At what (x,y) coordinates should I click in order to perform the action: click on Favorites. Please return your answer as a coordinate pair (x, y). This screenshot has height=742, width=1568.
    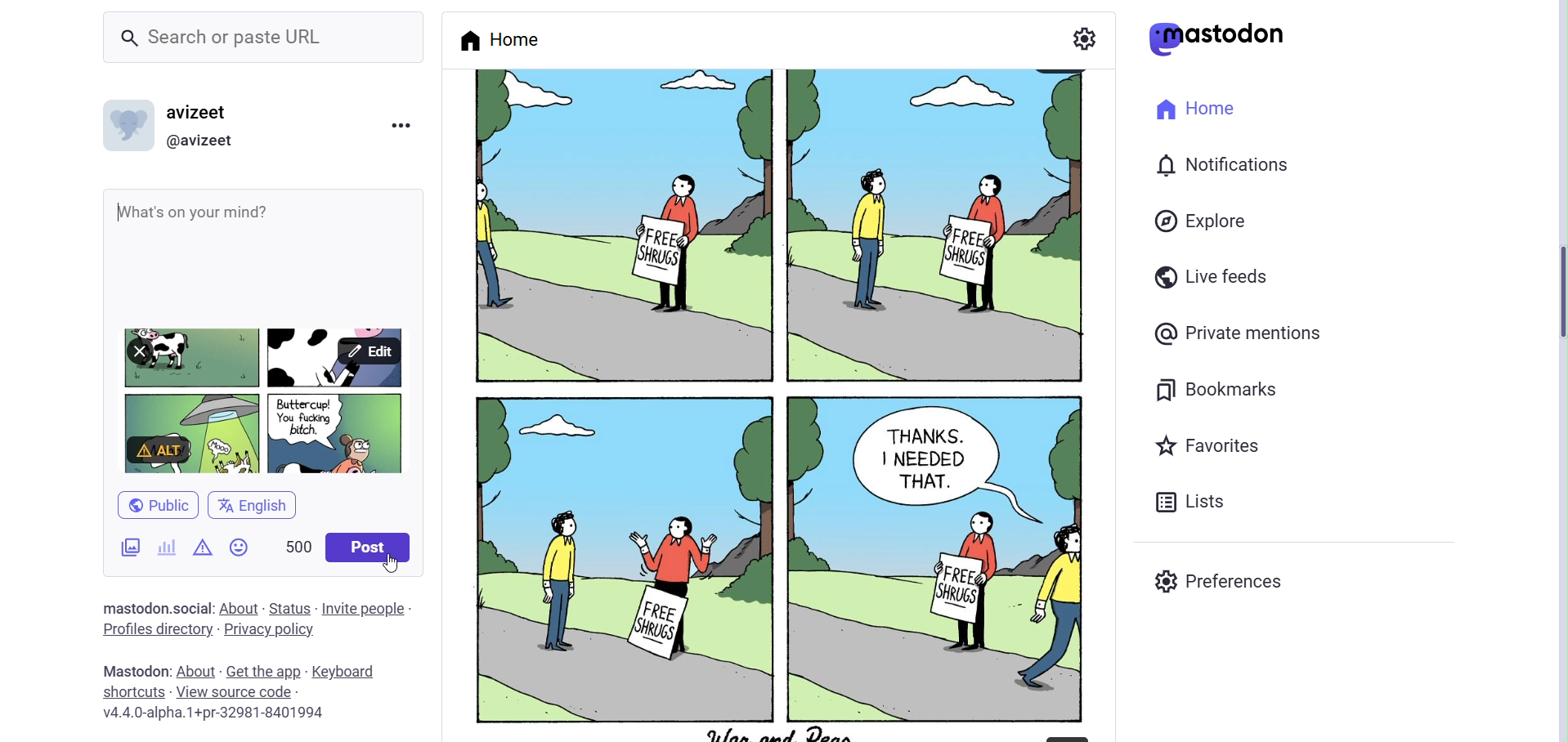
    Looking at the image, I should click on (1212, 444).